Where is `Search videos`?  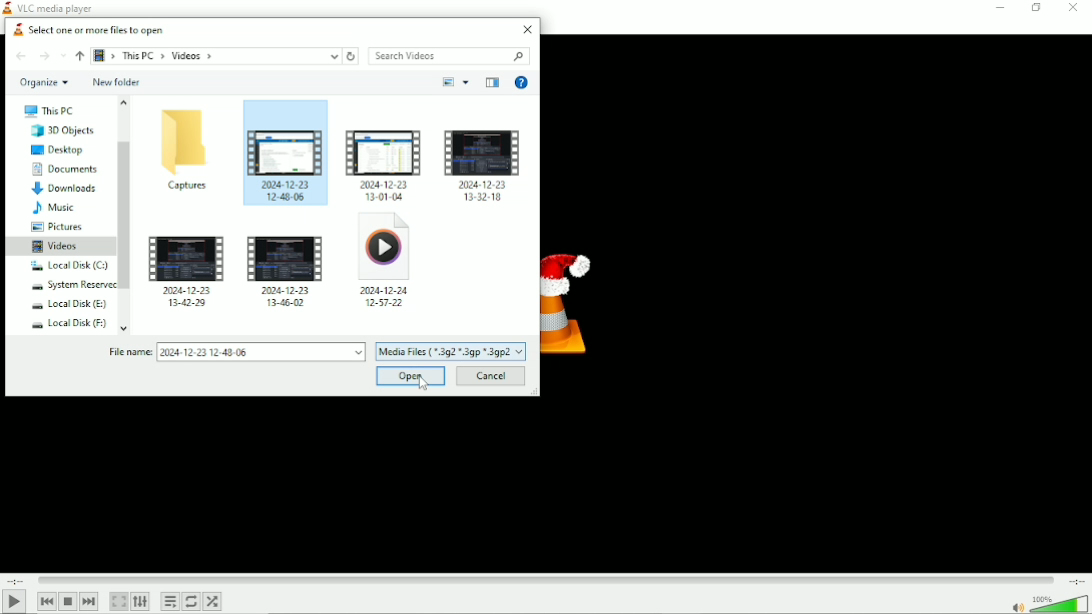 Search videos is located at coordinates (452, 56).